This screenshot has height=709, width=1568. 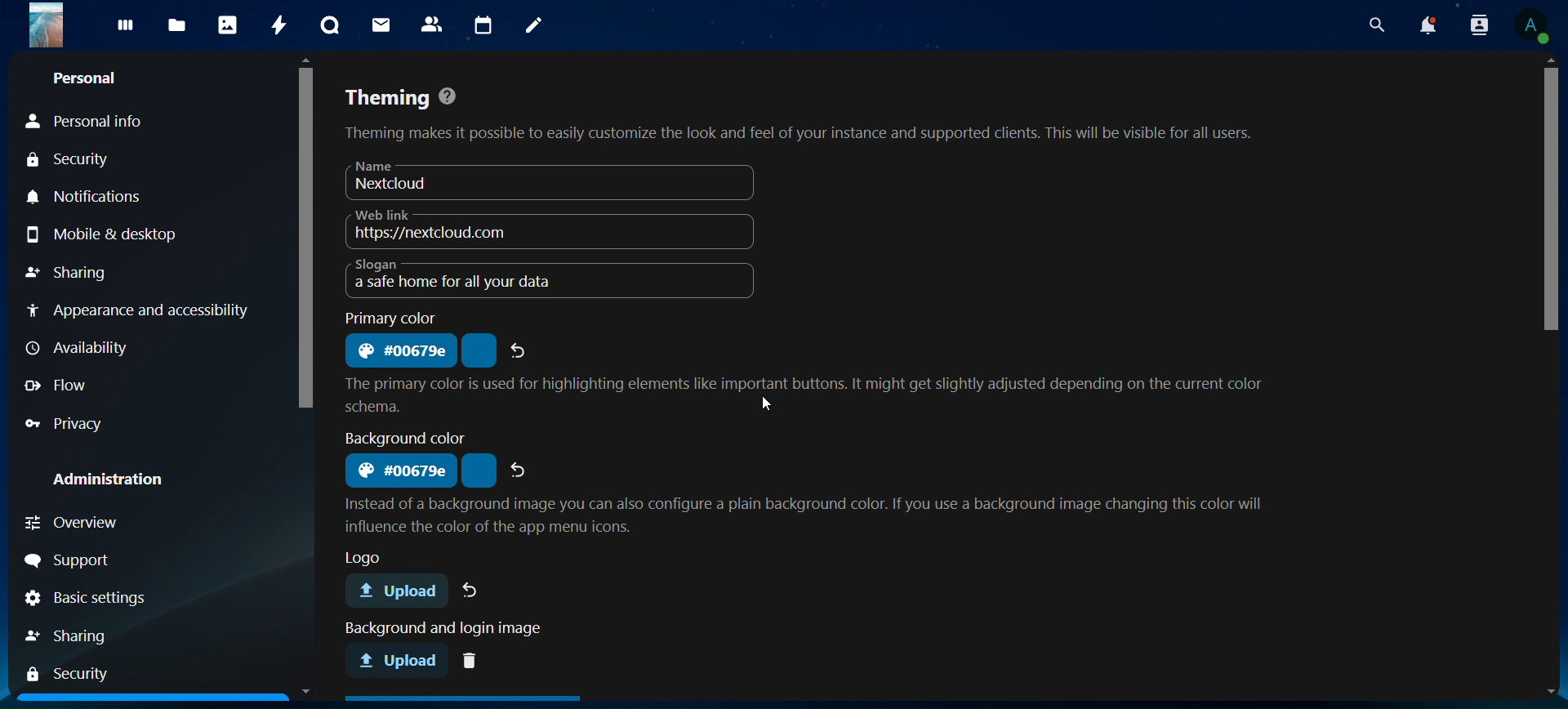 What do you see at coordinates (74, 673) in the screenshot?
I see `security` at bounding box center [74, 673].